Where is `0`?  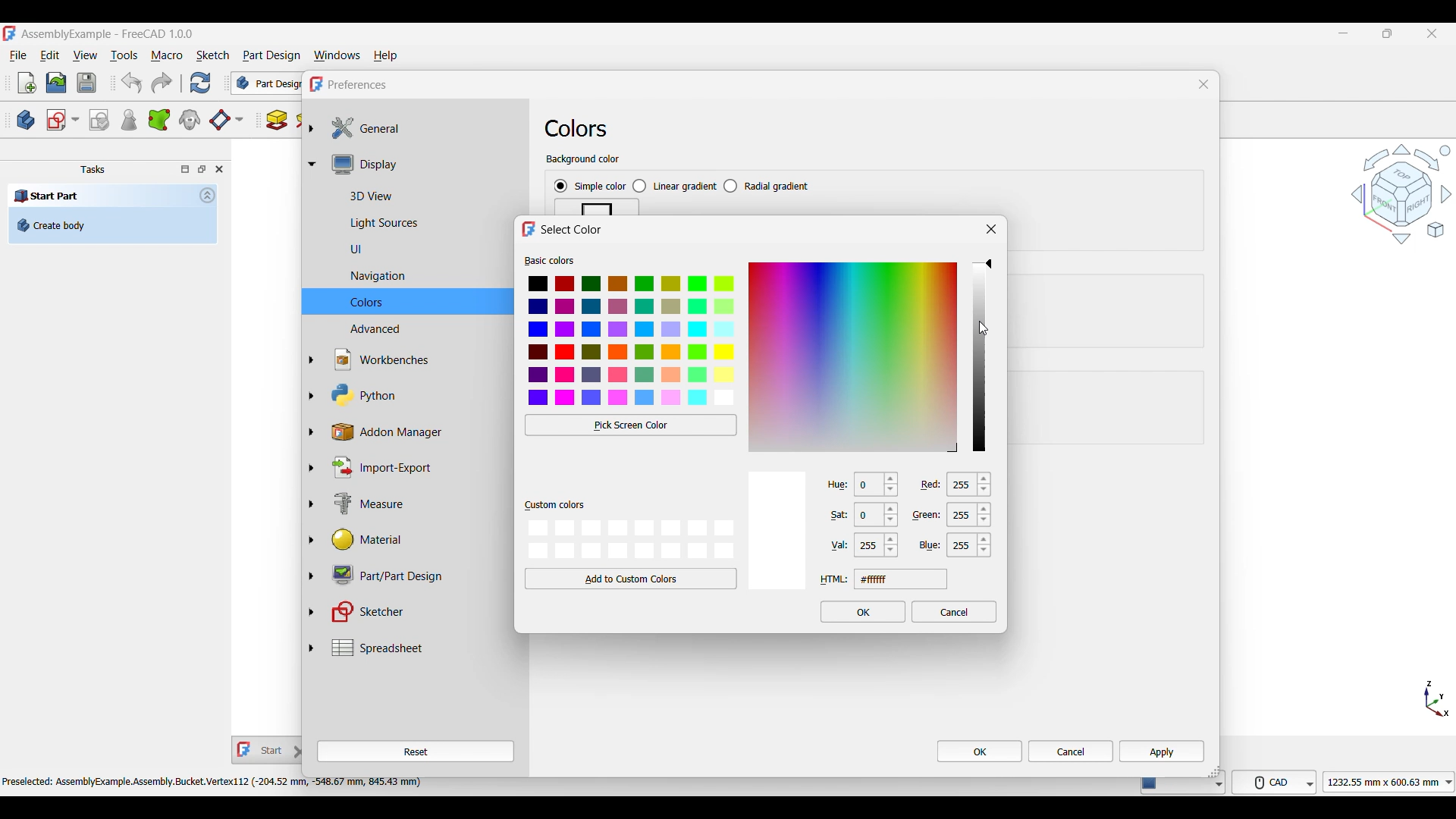 0 is located at coordinates (877, 486).